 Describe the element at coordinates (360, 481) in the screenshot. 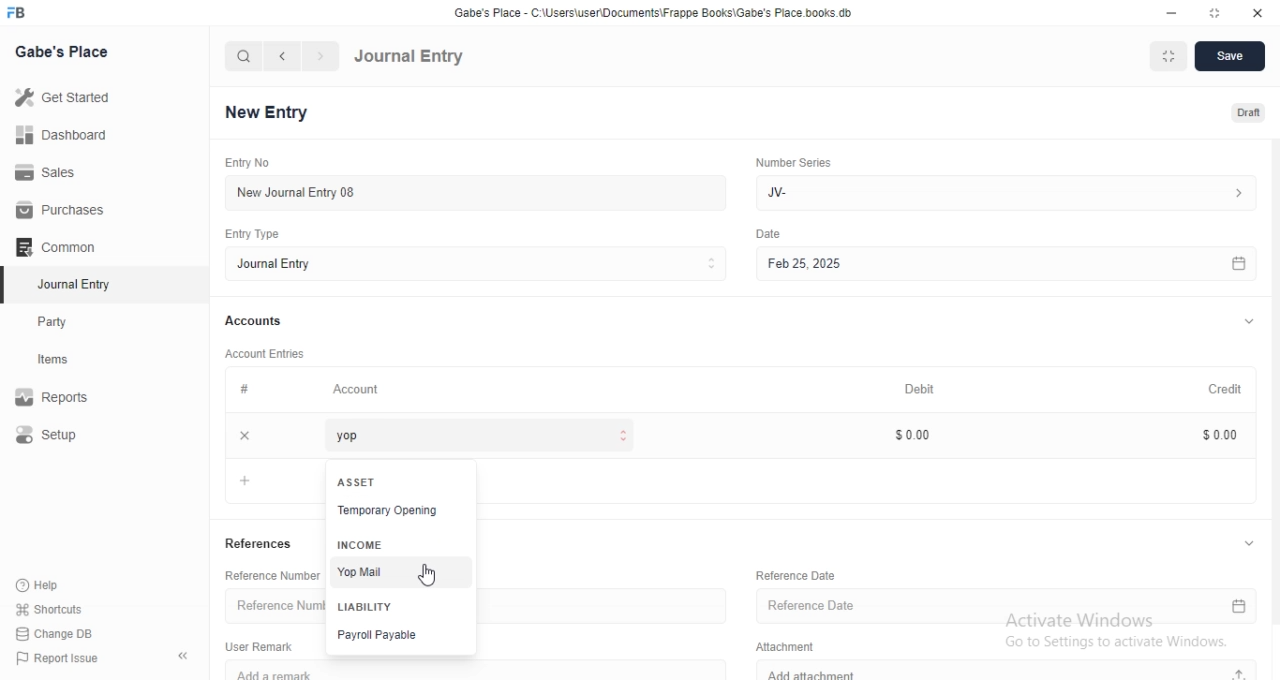

I see `ASSET` at that location.